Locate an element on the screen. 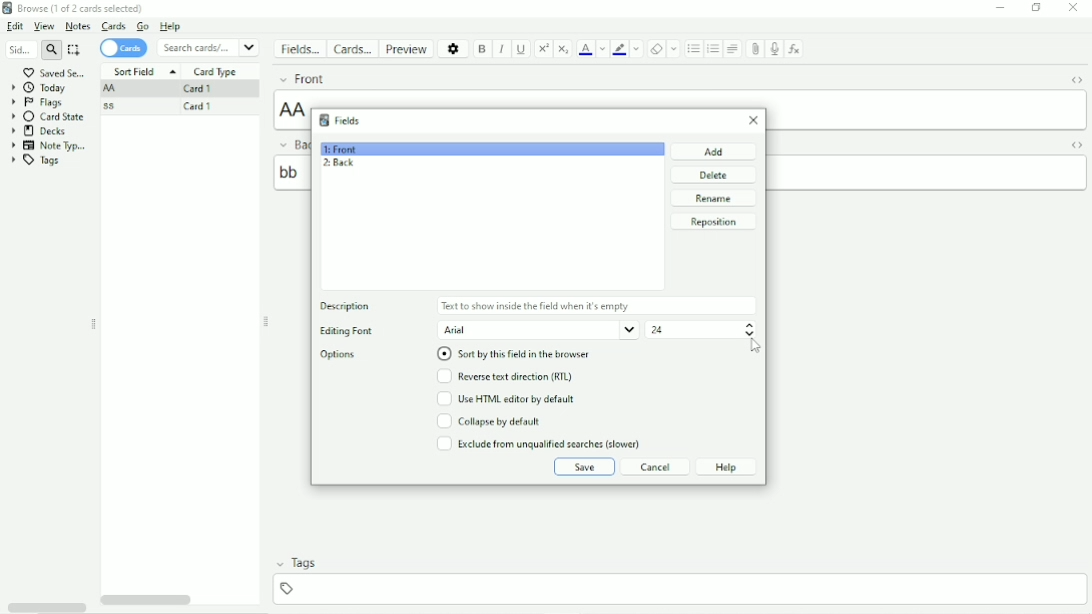 This screenshot has height=614, width=1092. Text to show inside the field when t's empty is located at coordinates (596, 305).